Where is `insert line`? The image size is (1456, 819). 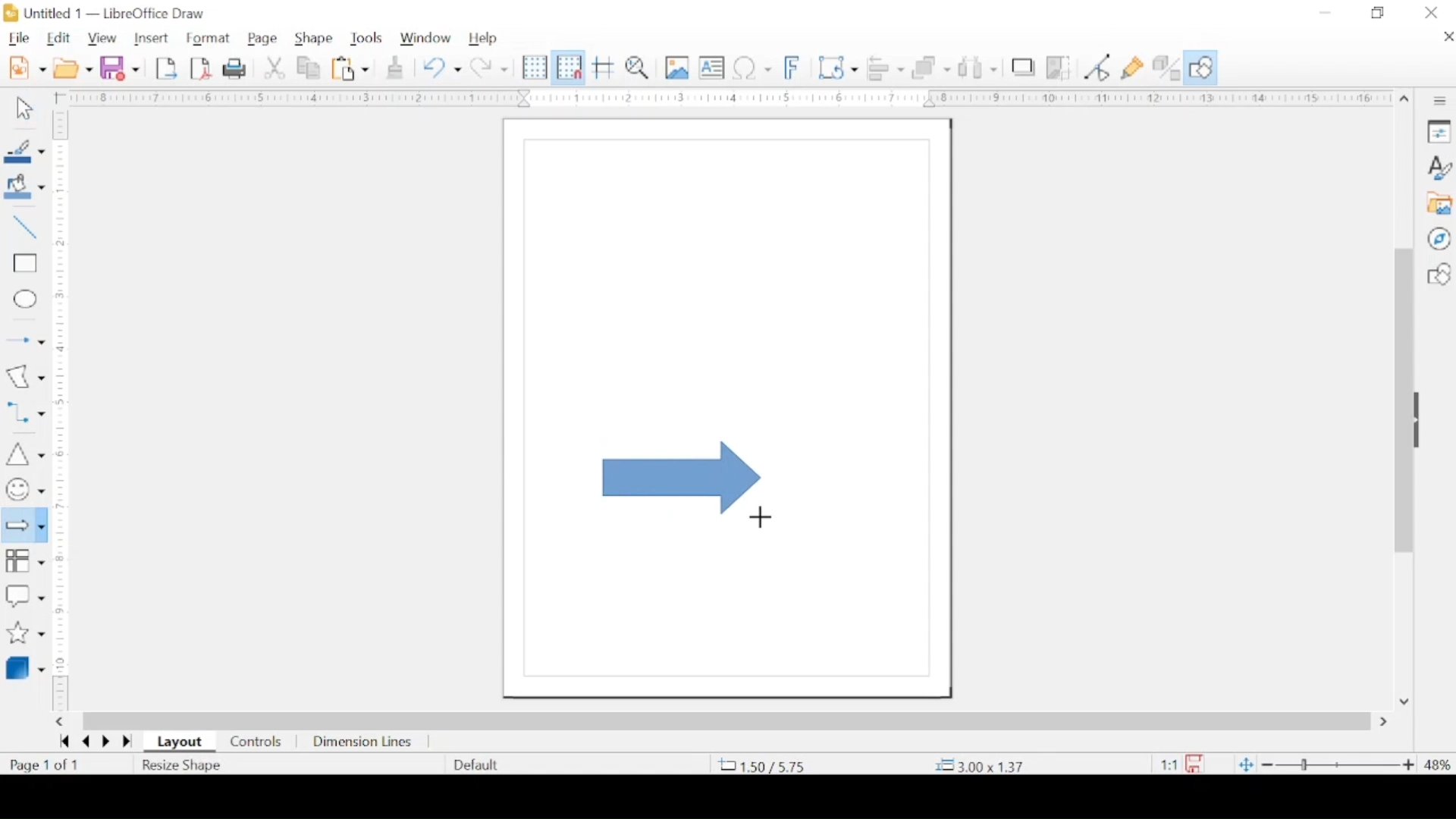
insert line is located at coordinates (25, 227).